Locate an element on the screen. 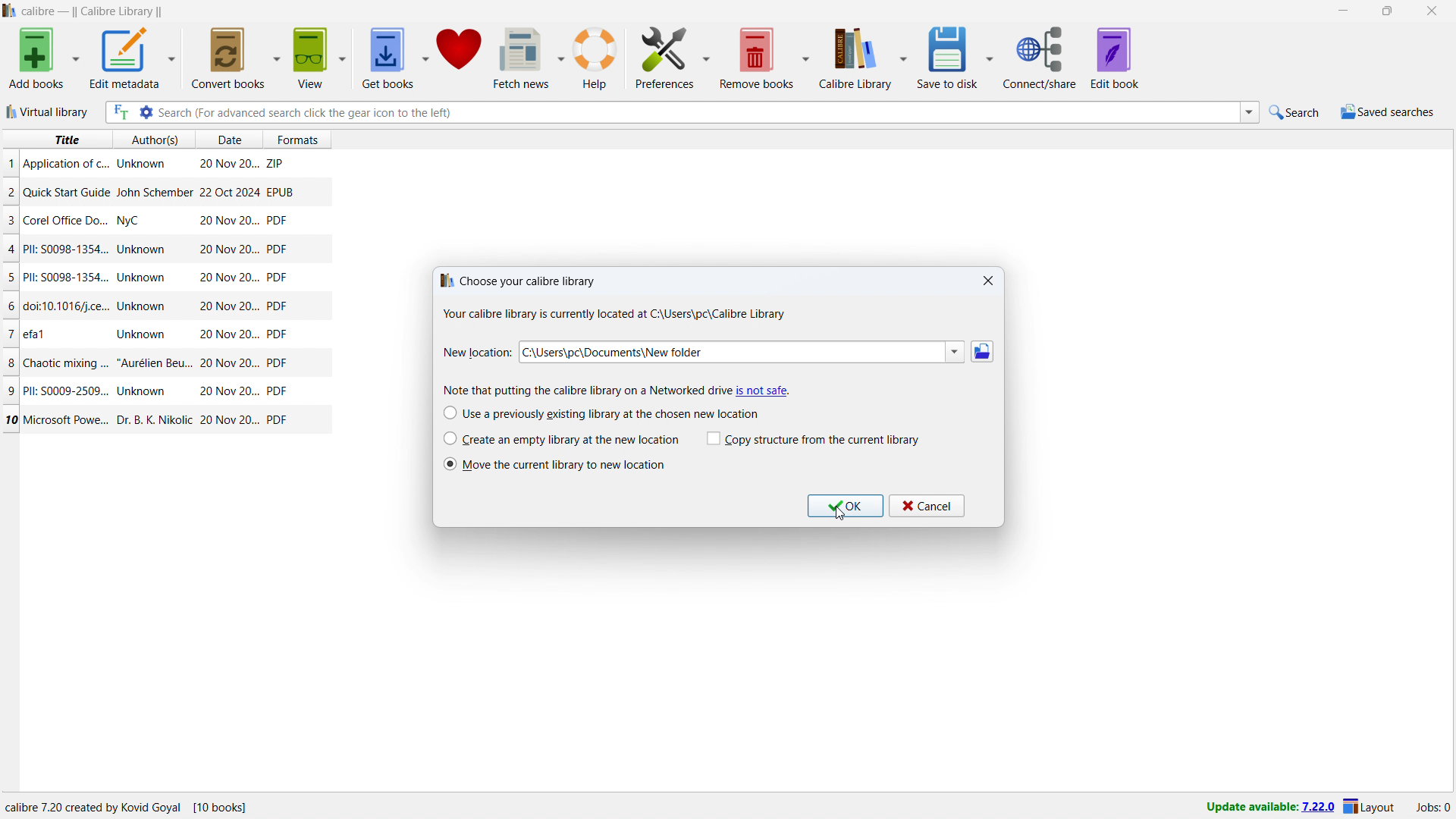  update is located at coordinates (1269, 808).